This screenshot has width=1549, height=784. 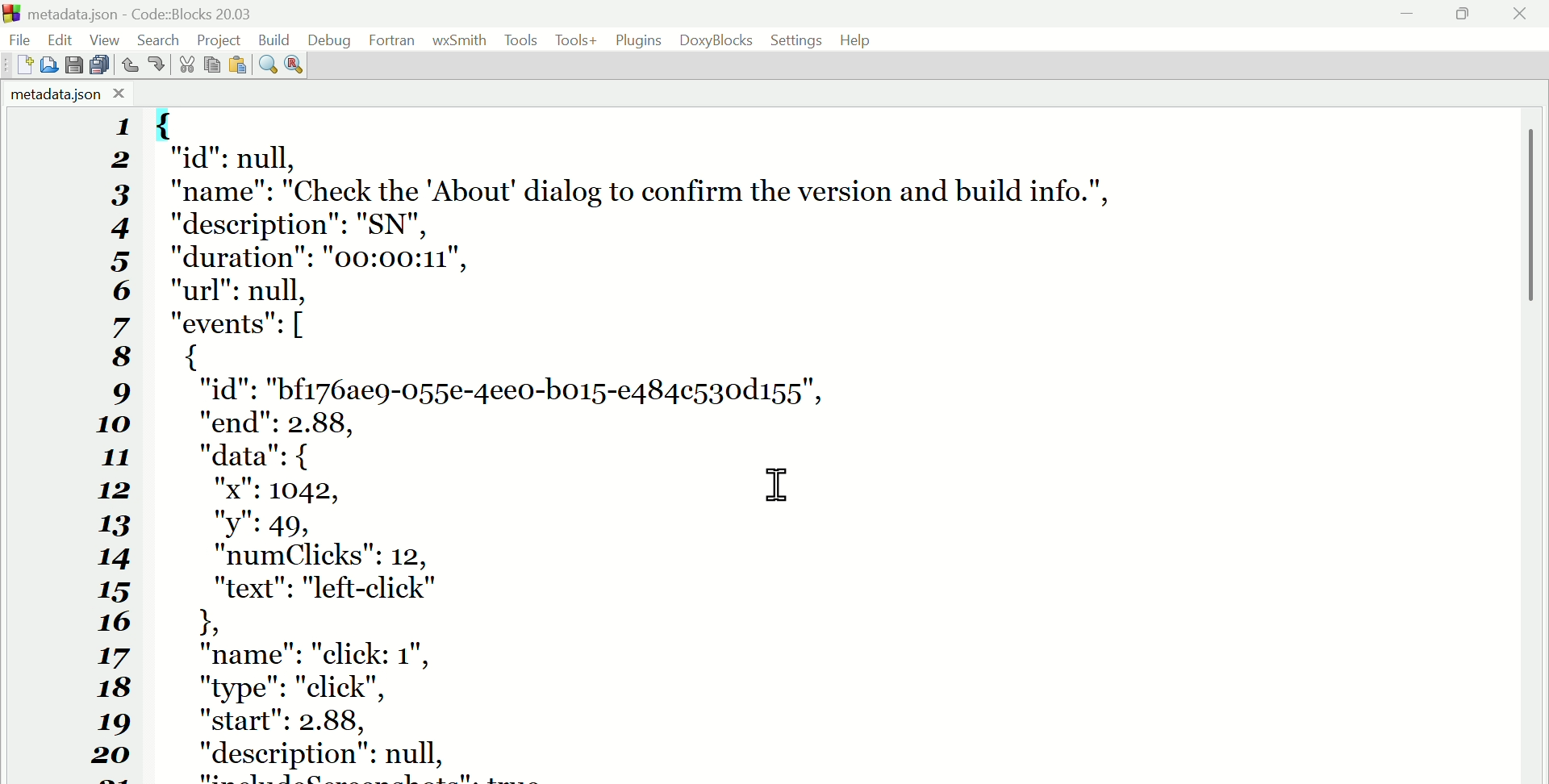 What do you see at coordinates (685, 444) in the screenshot?
I see `{
"id": null,
"name": "Check the "About dialog to confirm the version and build info.",
"description": "SN",
"duration": "00:00:11",
"url": null,
"events": [
{
"id": "bf176ae9-055e-4ee0-bo15-e484c530d155",
"end": 2.88,
"data": {
"x": 1042,
"y": 49,
"numClicks": 12,
"text": "left-click" I
1
"name": "click: 1",
"type": "click",
"start": 2.88,
"description": null,
"includeScreenshots": true,
"screenshots": {
"start":
}
1
{` at bounding box center [685, 444].